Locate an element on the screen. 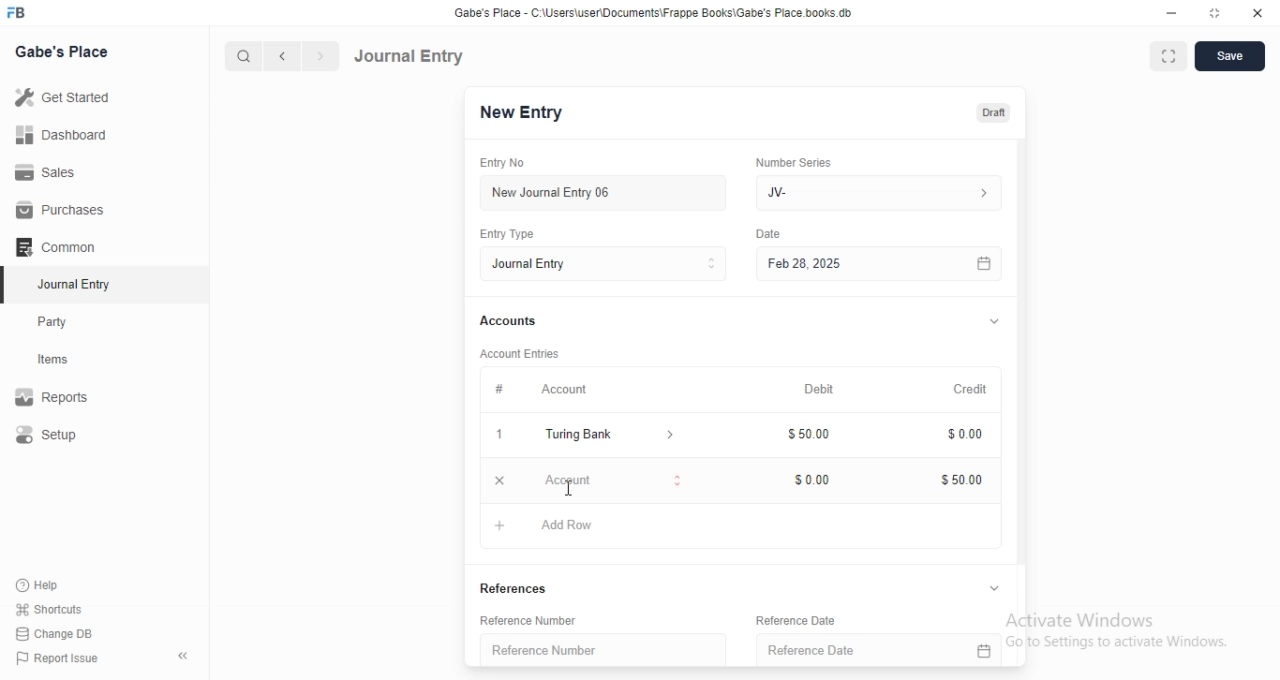 The width and height of the screenshot is (1280, 680). Party is located at coordinates (66, 322).